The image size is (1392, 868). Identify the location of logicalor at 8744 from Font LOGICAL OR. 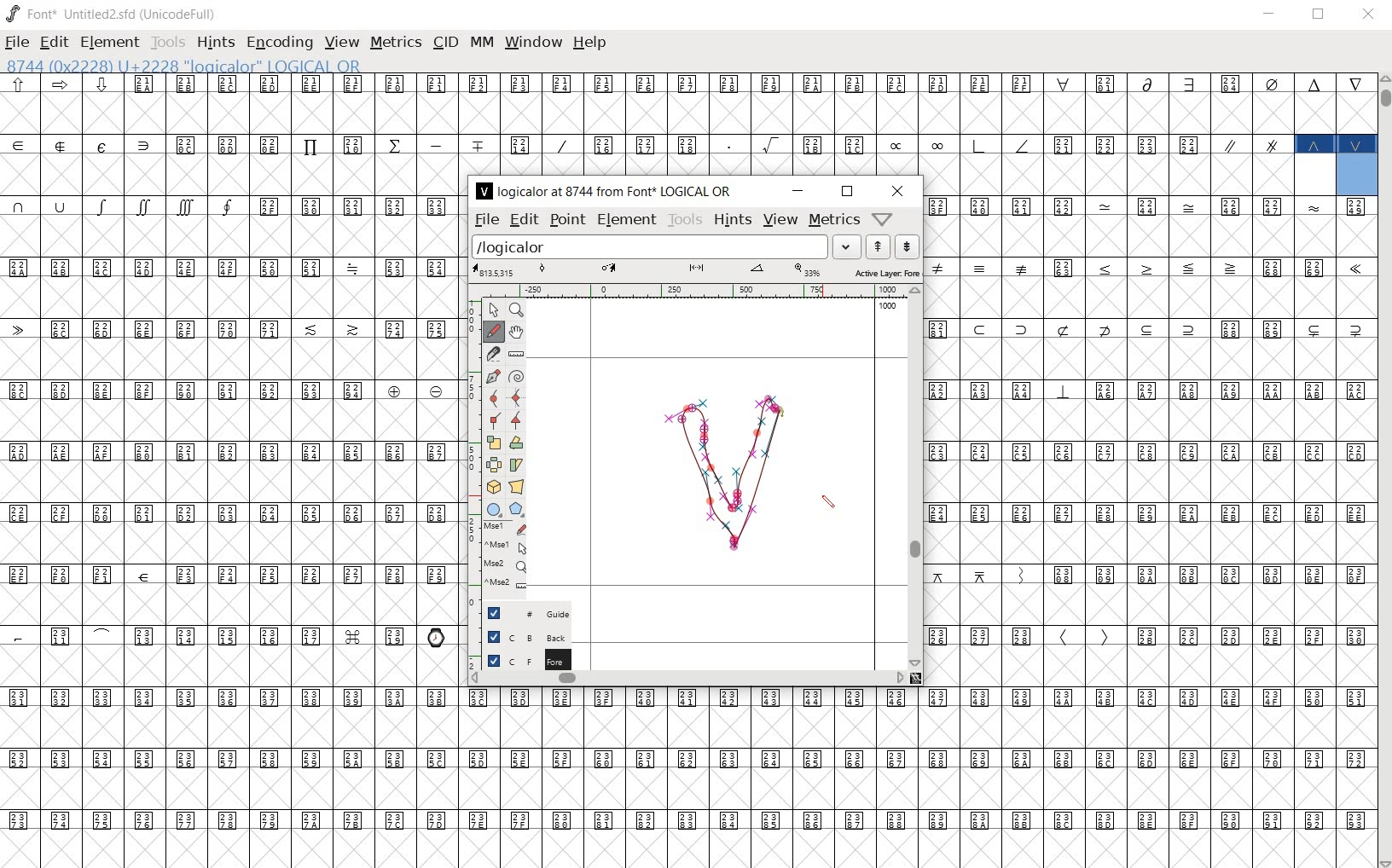
(604, 192).